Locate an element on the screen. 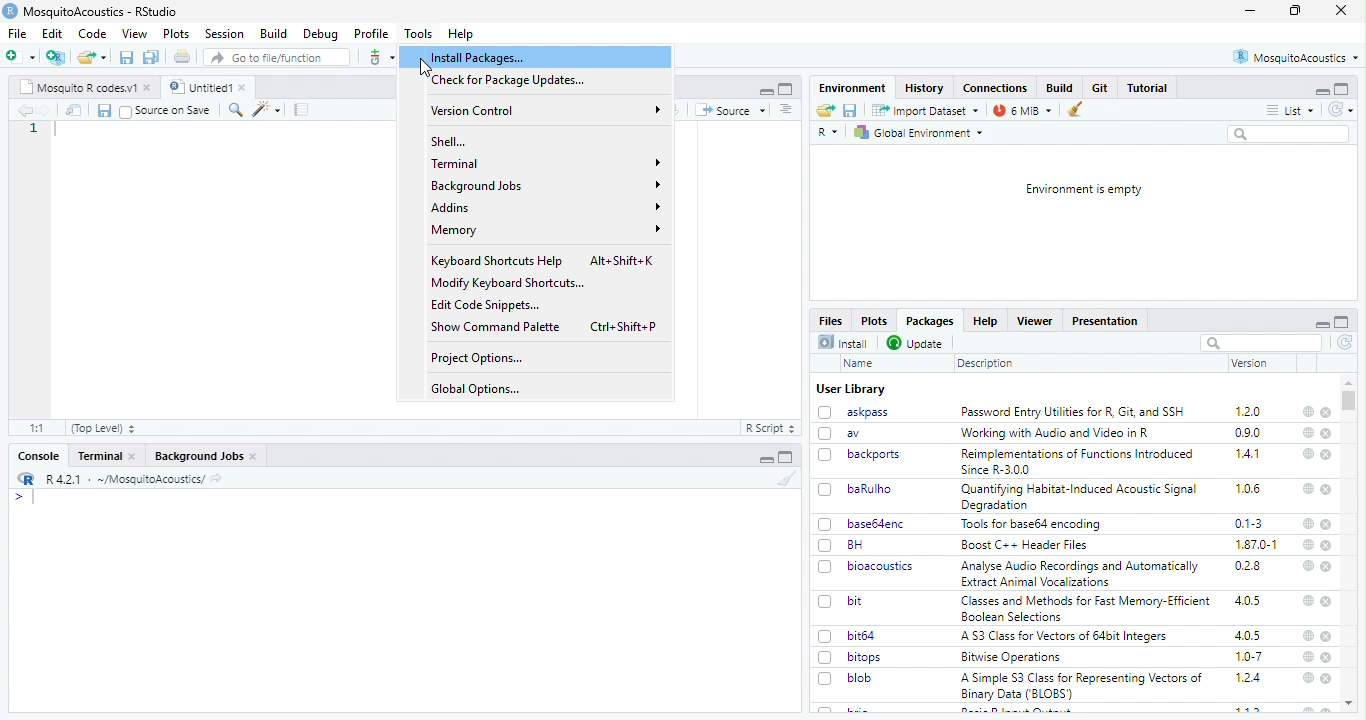 Image resolution: width=1366 pixels, height=720 pixels. Shell... is located at coordinates (451, 141).